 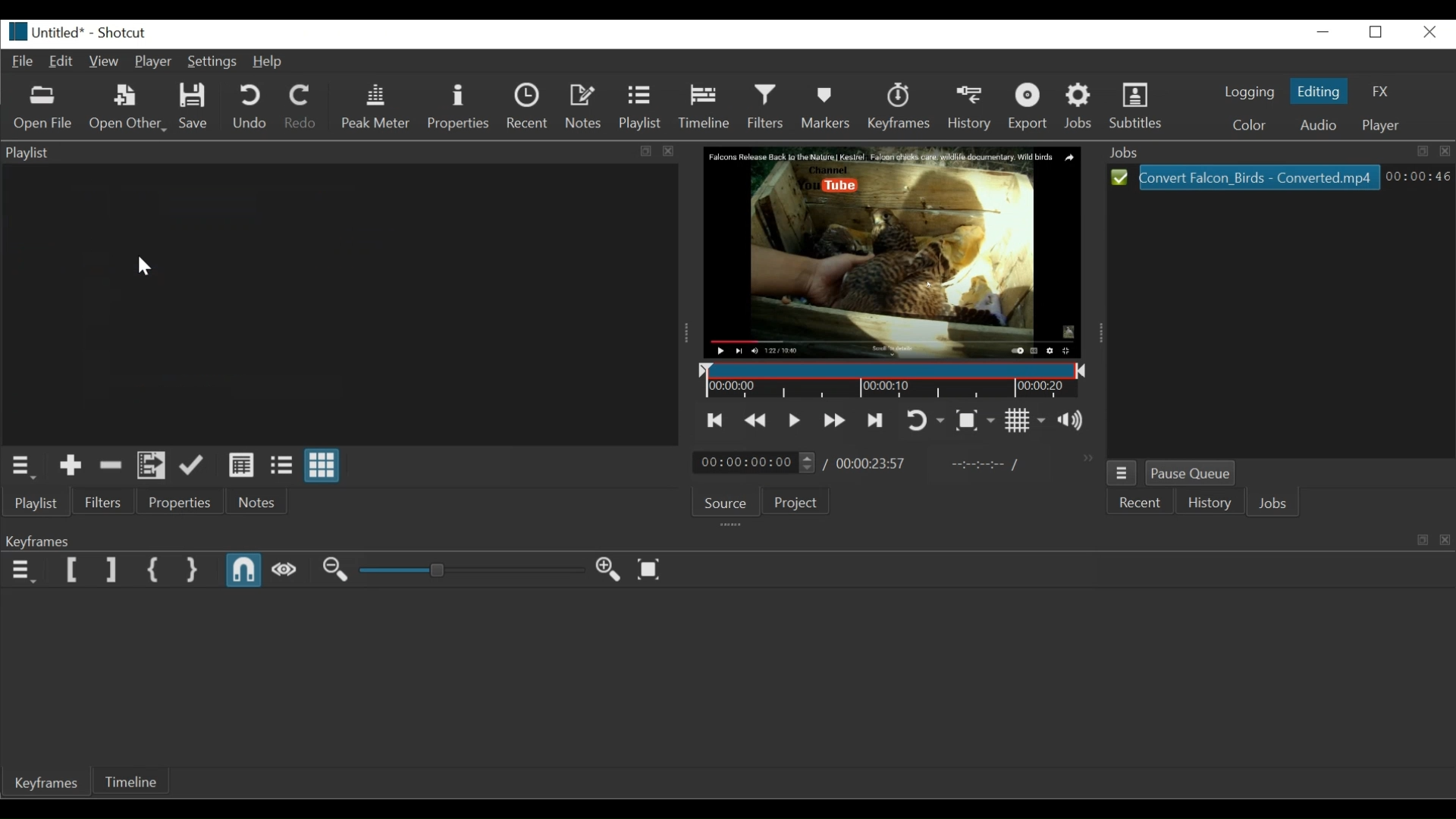 What do you see at coordinates (1317, 91) in the screenshot?
I see `Editing` at bounding box center [1317, 91].